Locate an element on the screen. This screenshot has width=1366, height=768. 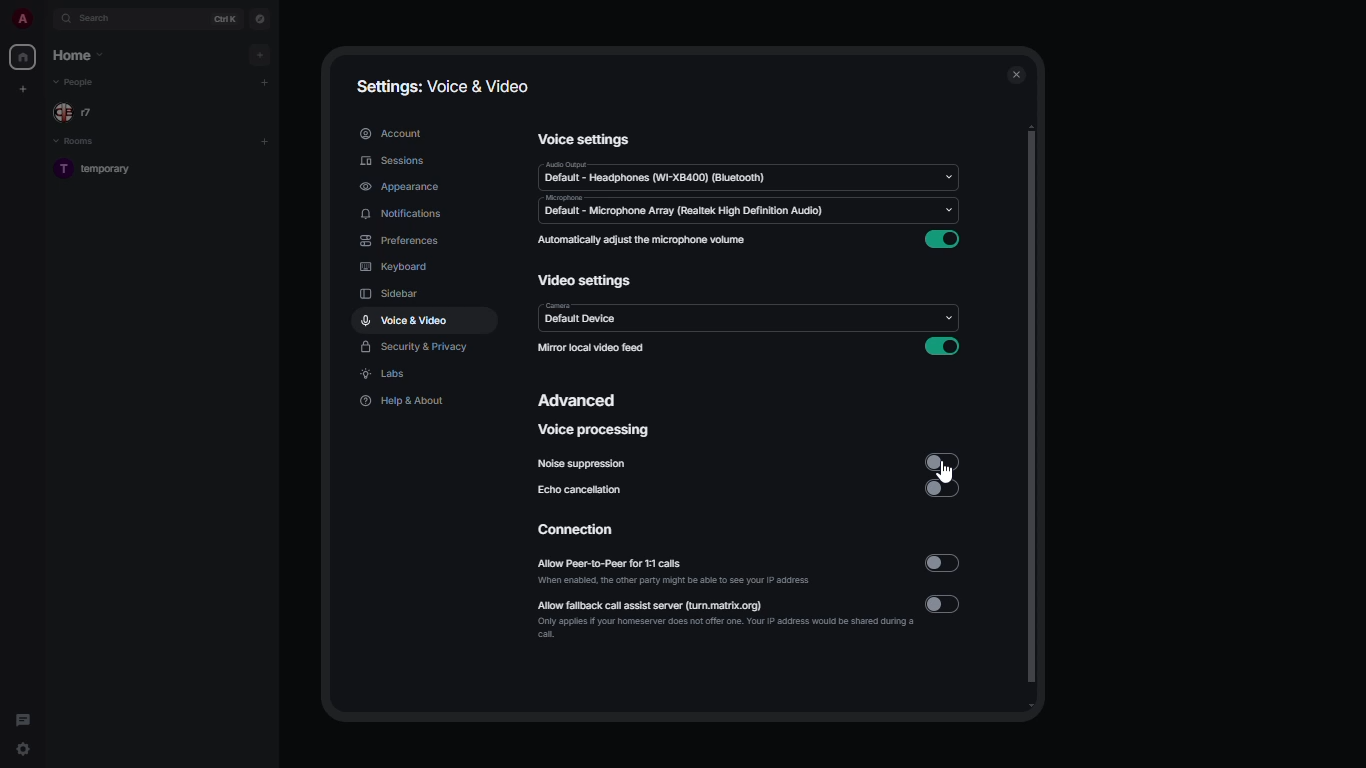
allow peer-to-peer for 1:1 calls is located at coordinates (673, 571).